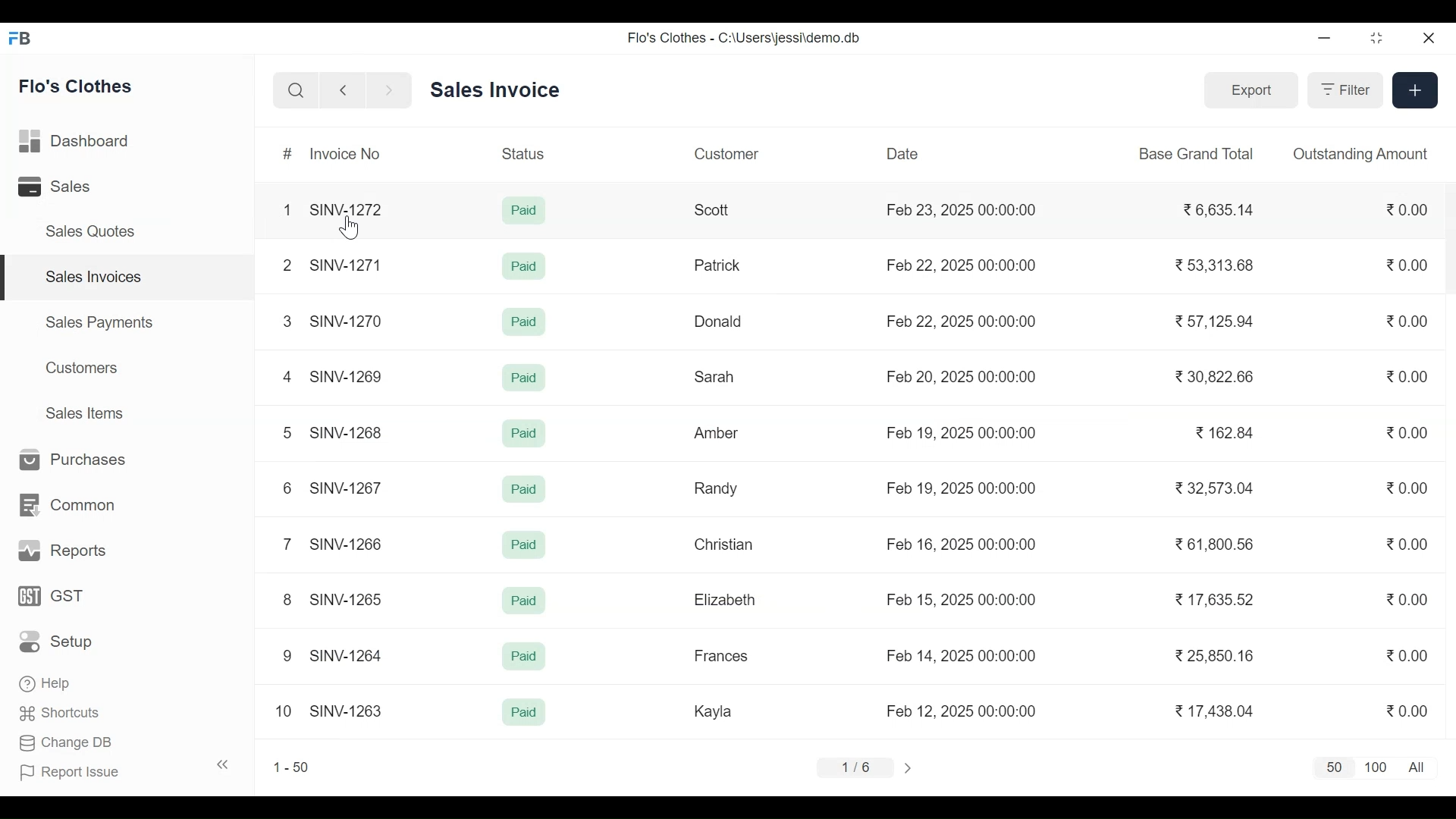 The image size is (1456, 819). Describe the element at coordinates (1325, 39) in the screenshot. I see `Minimize` at that location.